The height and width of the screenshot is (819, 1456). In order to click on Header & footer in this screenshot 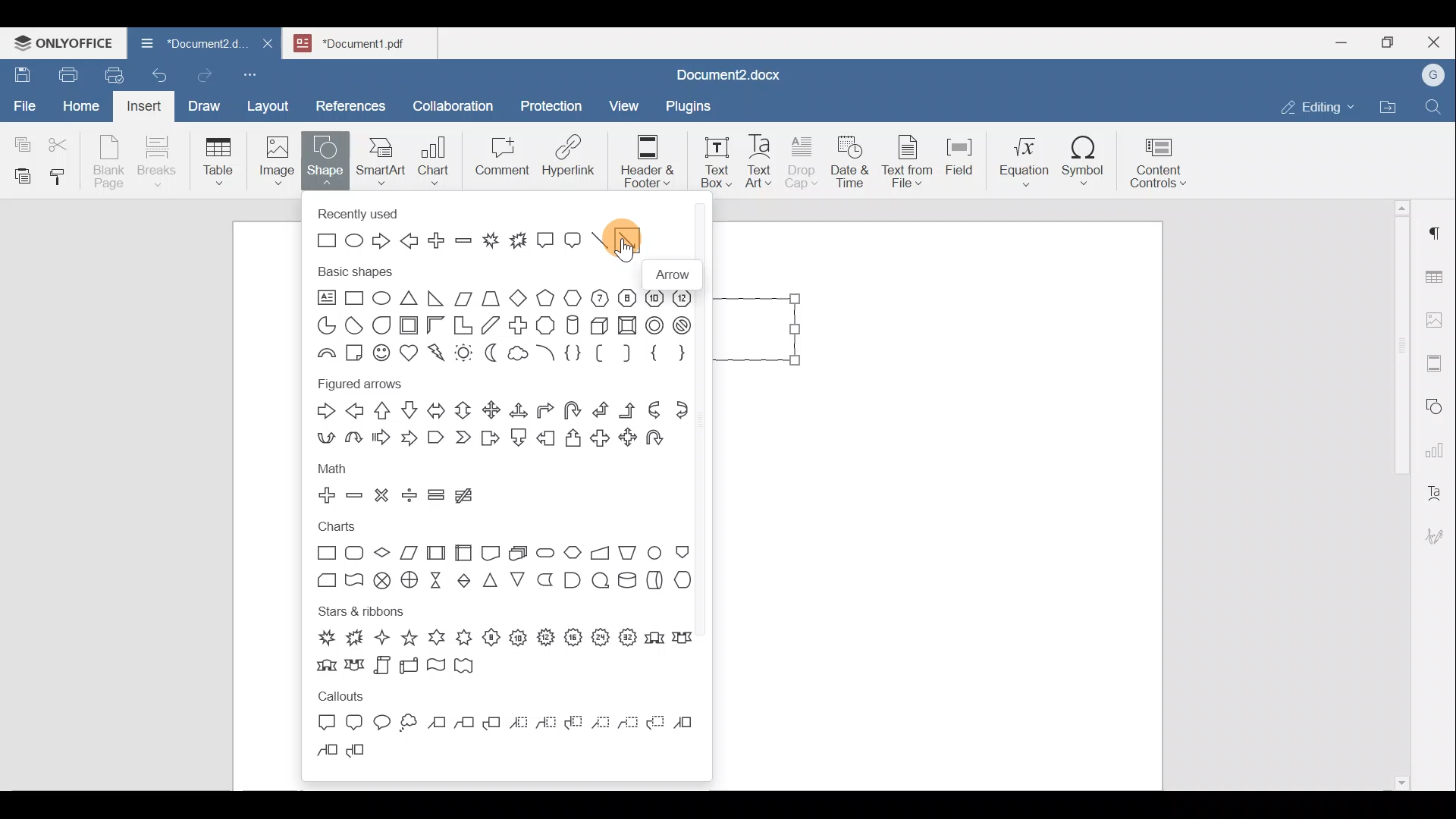, I will do `click(642, 160)`.